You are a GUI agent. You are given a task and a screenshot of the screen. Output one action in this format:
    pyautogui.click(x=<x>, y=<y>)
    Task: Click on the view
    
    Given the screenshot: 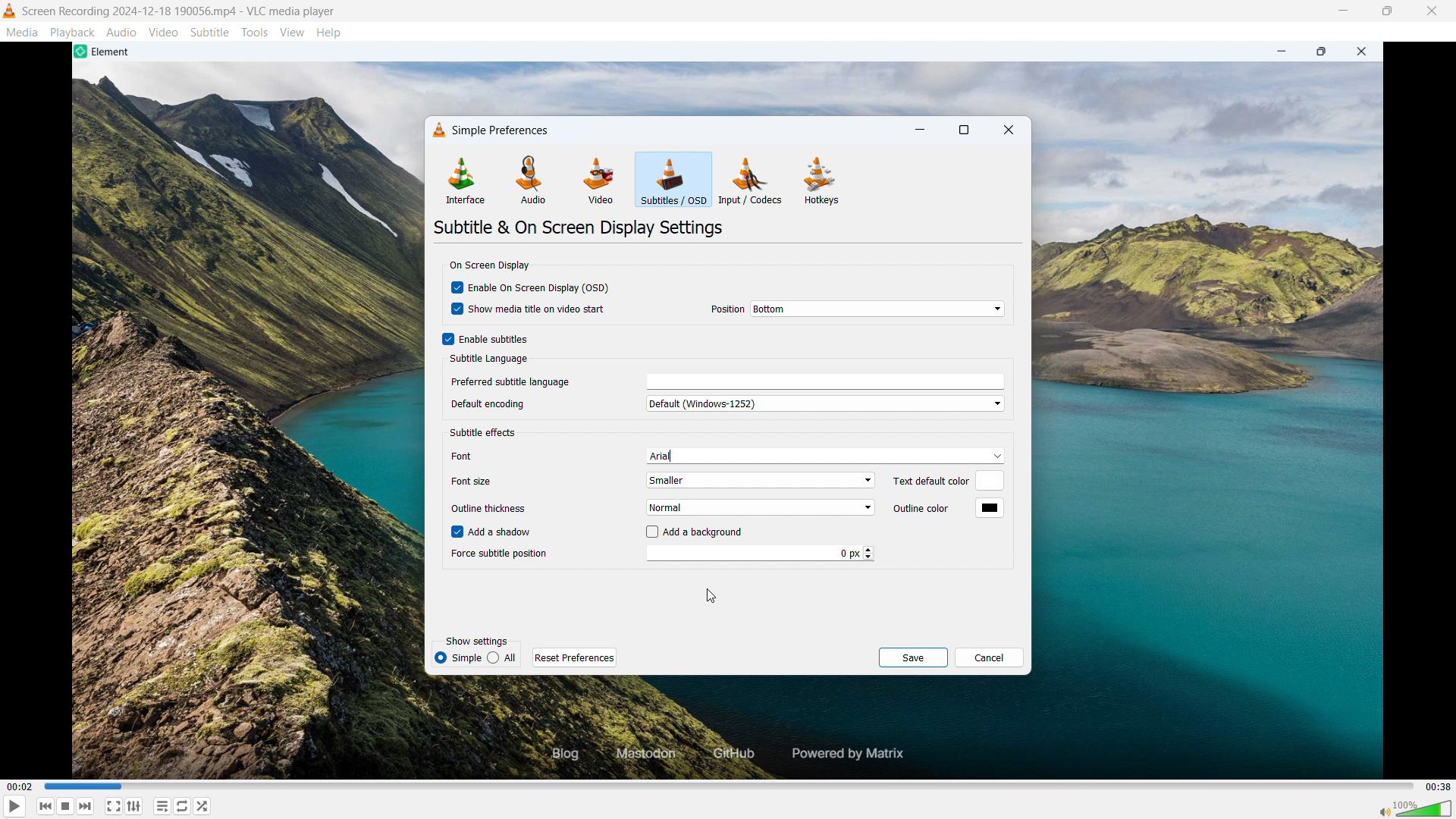 What is the action you would take?
    pyautogui.click(x=293, y=33)
    